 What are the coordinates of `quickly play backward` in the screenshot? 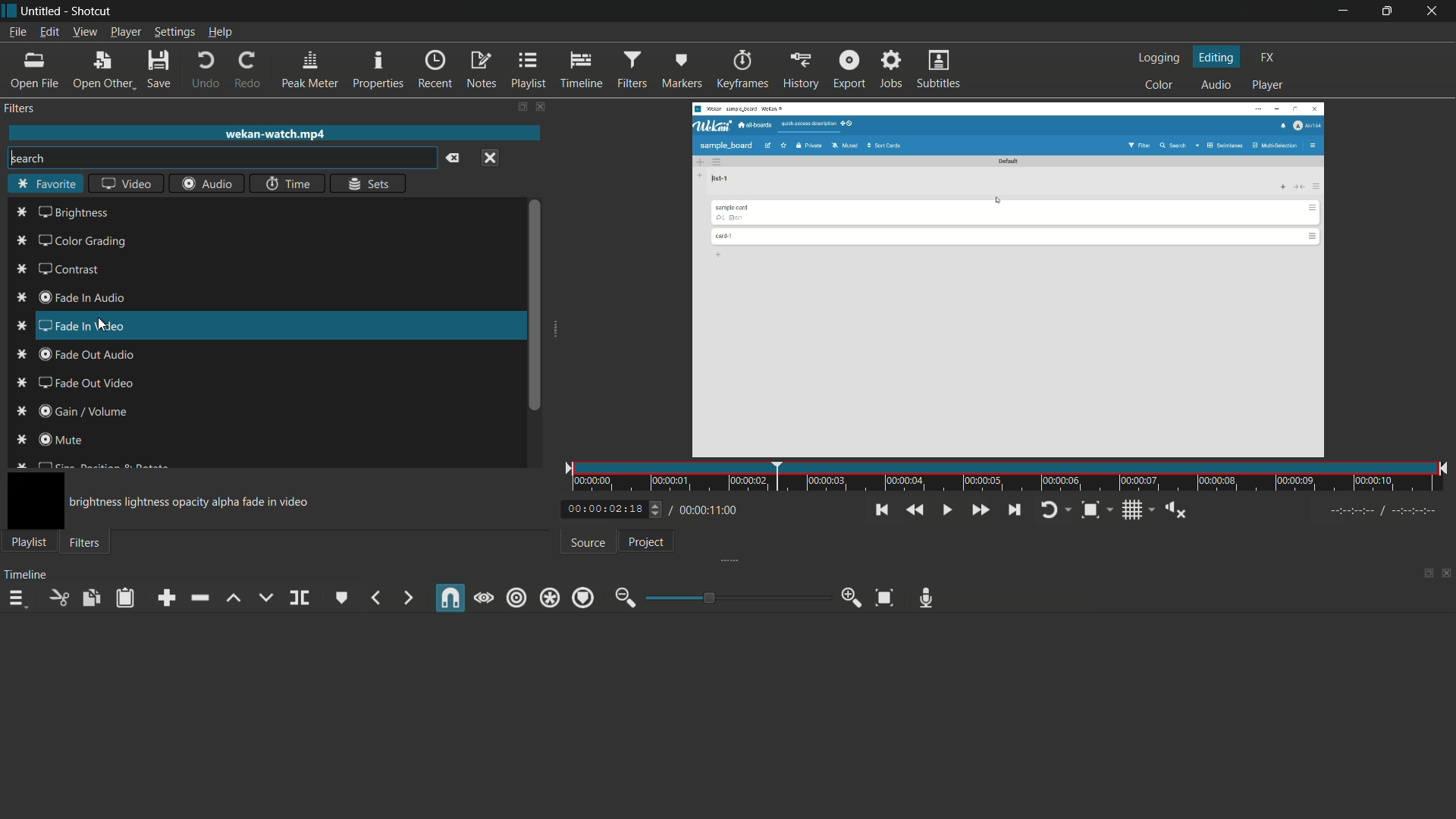 It's located at (913, 510).